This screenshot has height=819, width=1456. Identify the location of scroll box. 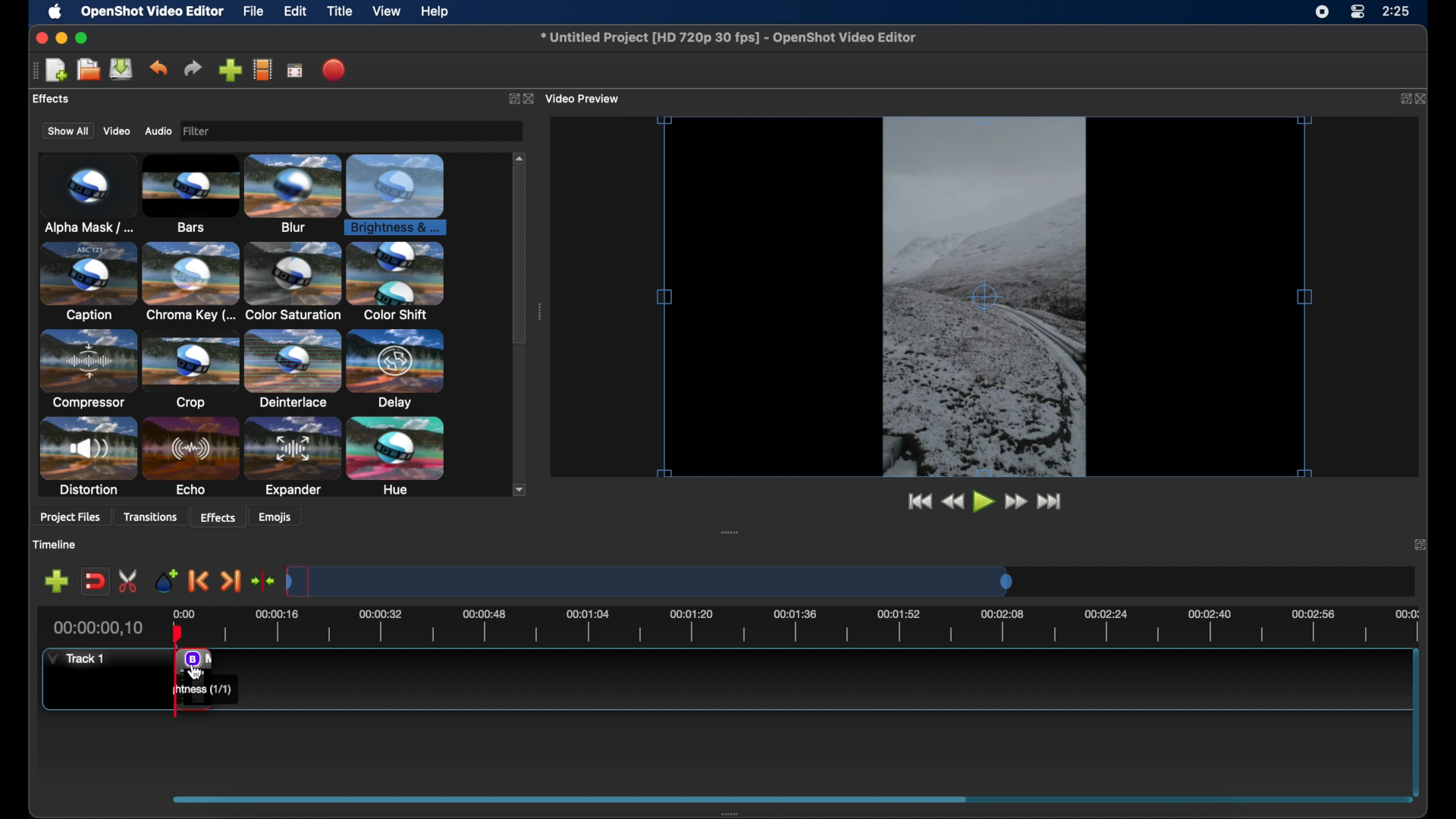
(519, 258).